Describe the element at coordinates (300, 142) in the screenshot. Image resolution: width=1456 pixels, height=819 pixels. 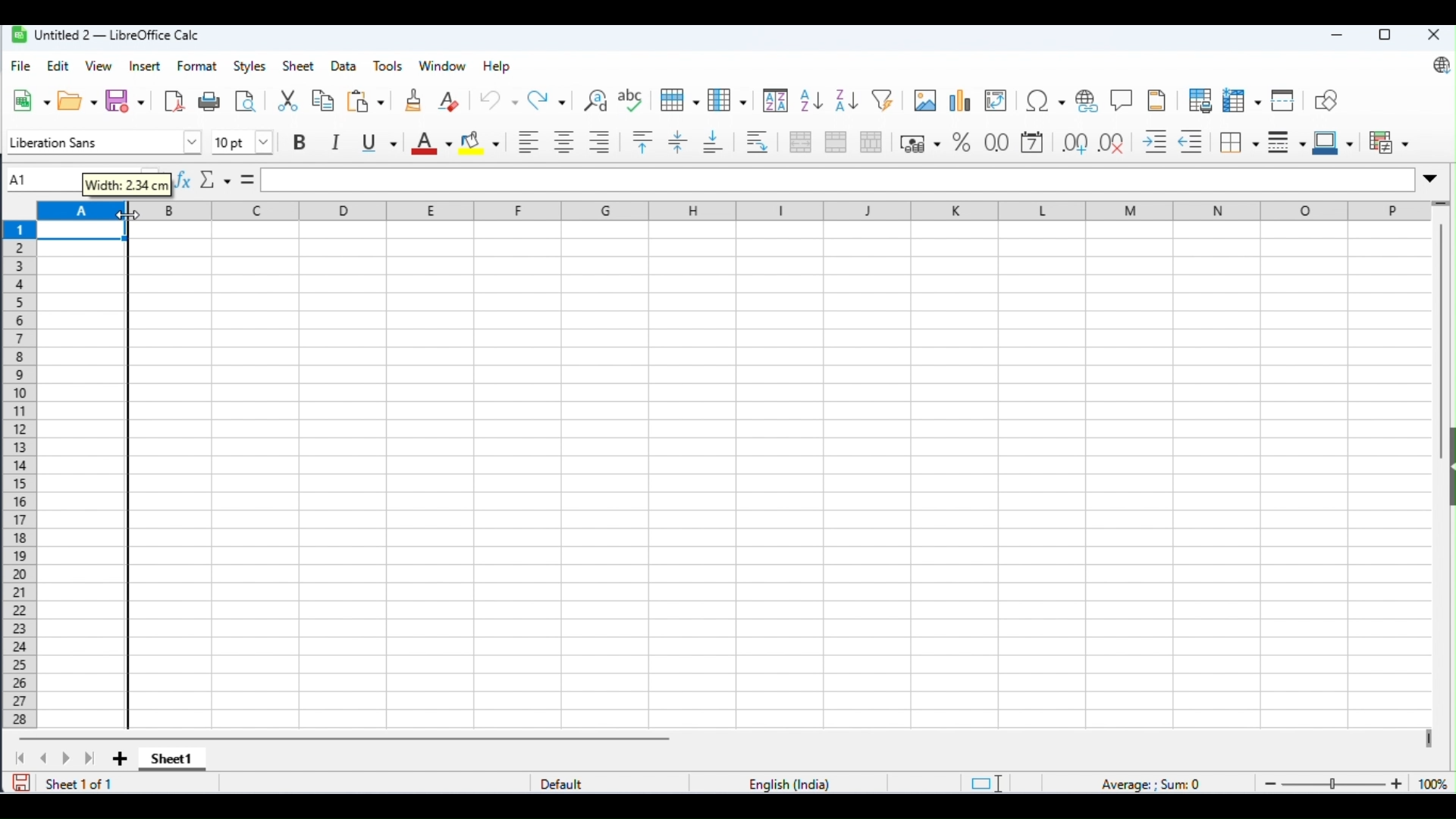
I see `bold` at that location.